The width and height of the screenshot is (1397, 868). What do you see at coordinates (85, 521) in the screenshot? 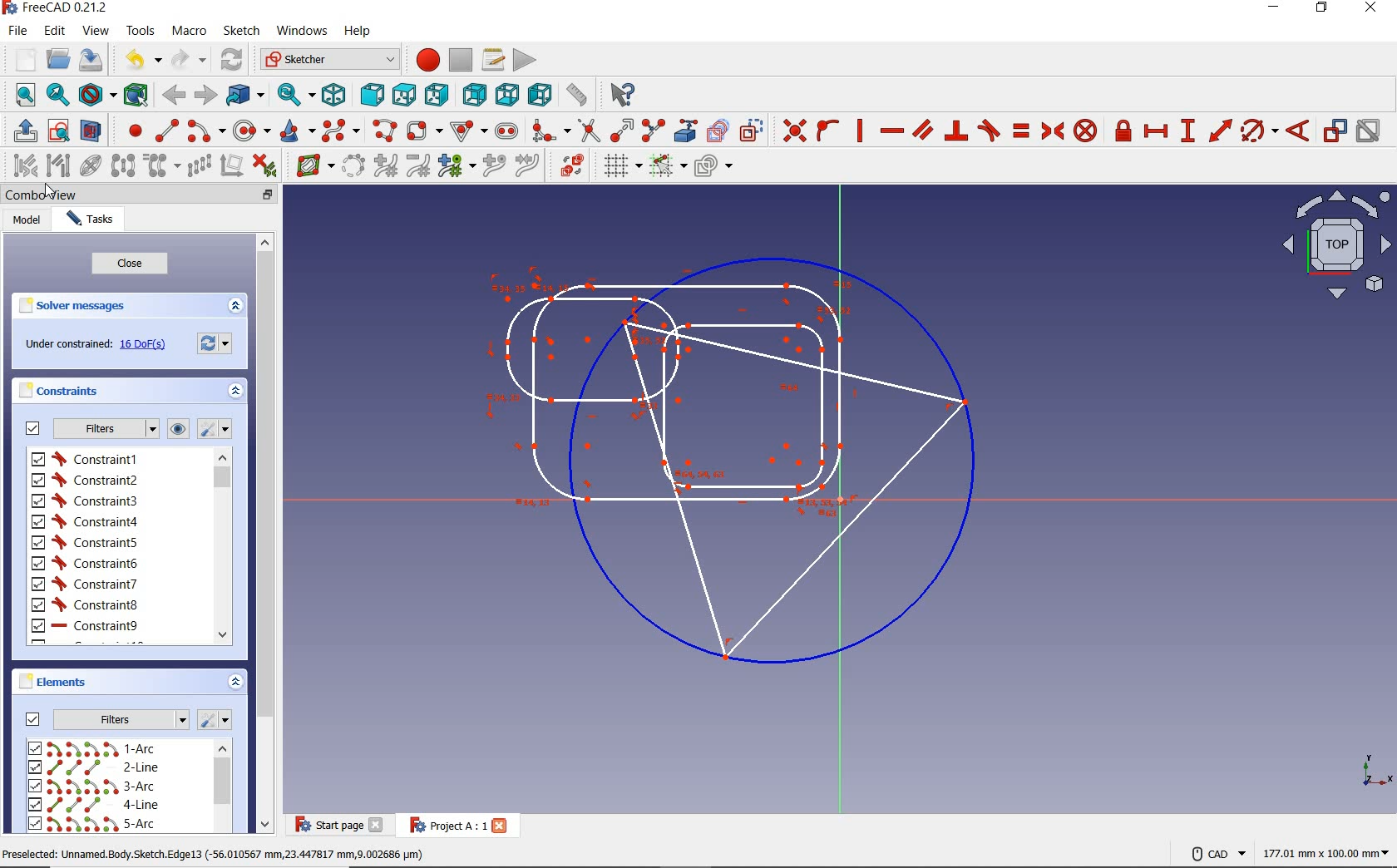
I see `constraint4` at bounding box center [85, 521].